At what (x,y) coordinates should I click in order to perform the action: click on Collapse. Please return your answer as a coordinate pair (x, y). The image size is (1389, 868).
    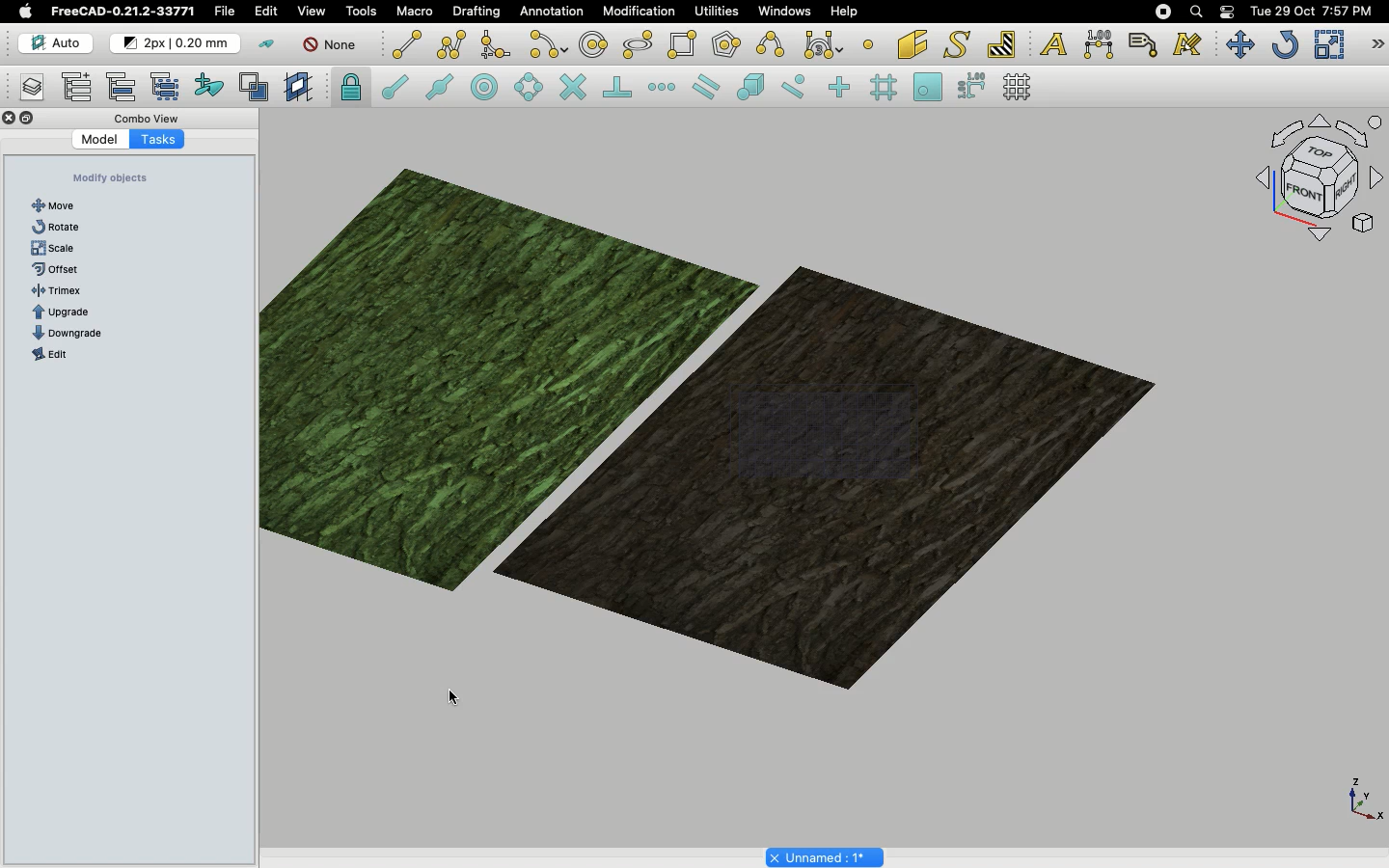
    Looking at the image, I should click on (28, 119).